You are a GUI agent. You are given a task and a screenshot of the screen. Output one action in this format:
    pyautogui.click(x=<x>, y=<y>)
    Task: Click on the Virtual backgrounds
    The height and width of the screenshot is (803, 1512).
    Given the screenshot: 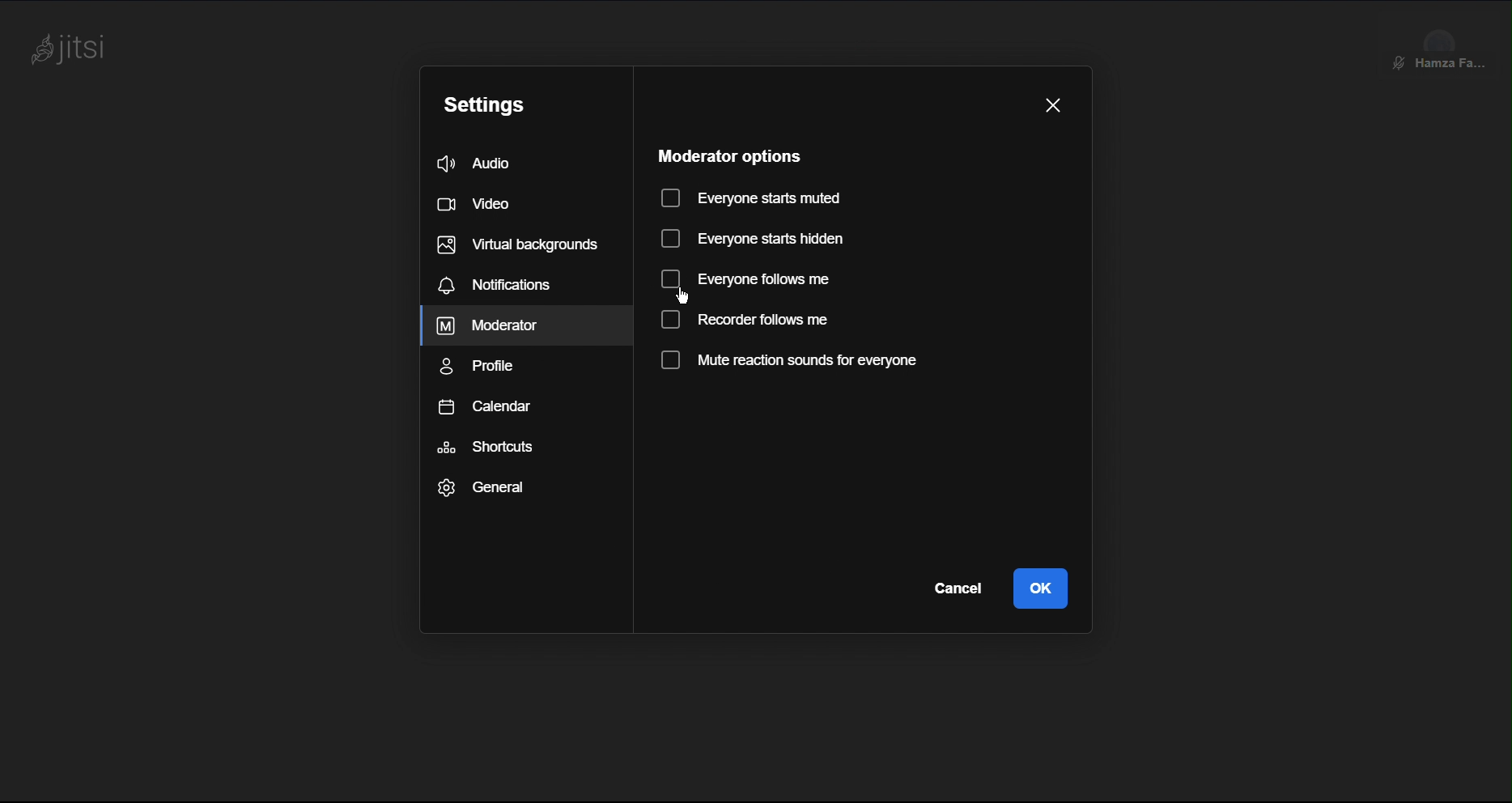 What is the action you would take?
    pyautogui.click(x=516, y=243)
    